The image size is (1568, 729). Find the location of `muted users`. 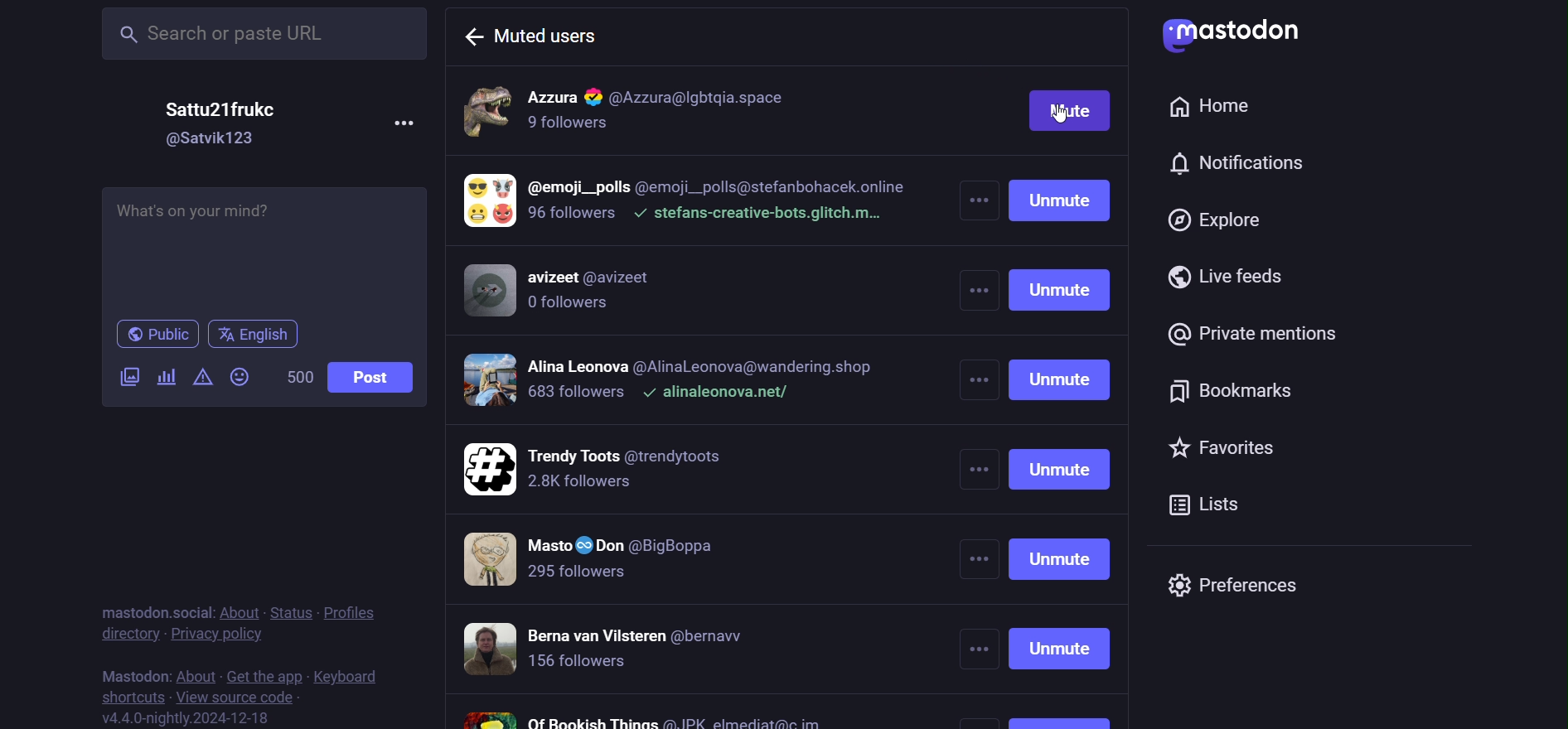

muted users is located at coordinates (532, 33).